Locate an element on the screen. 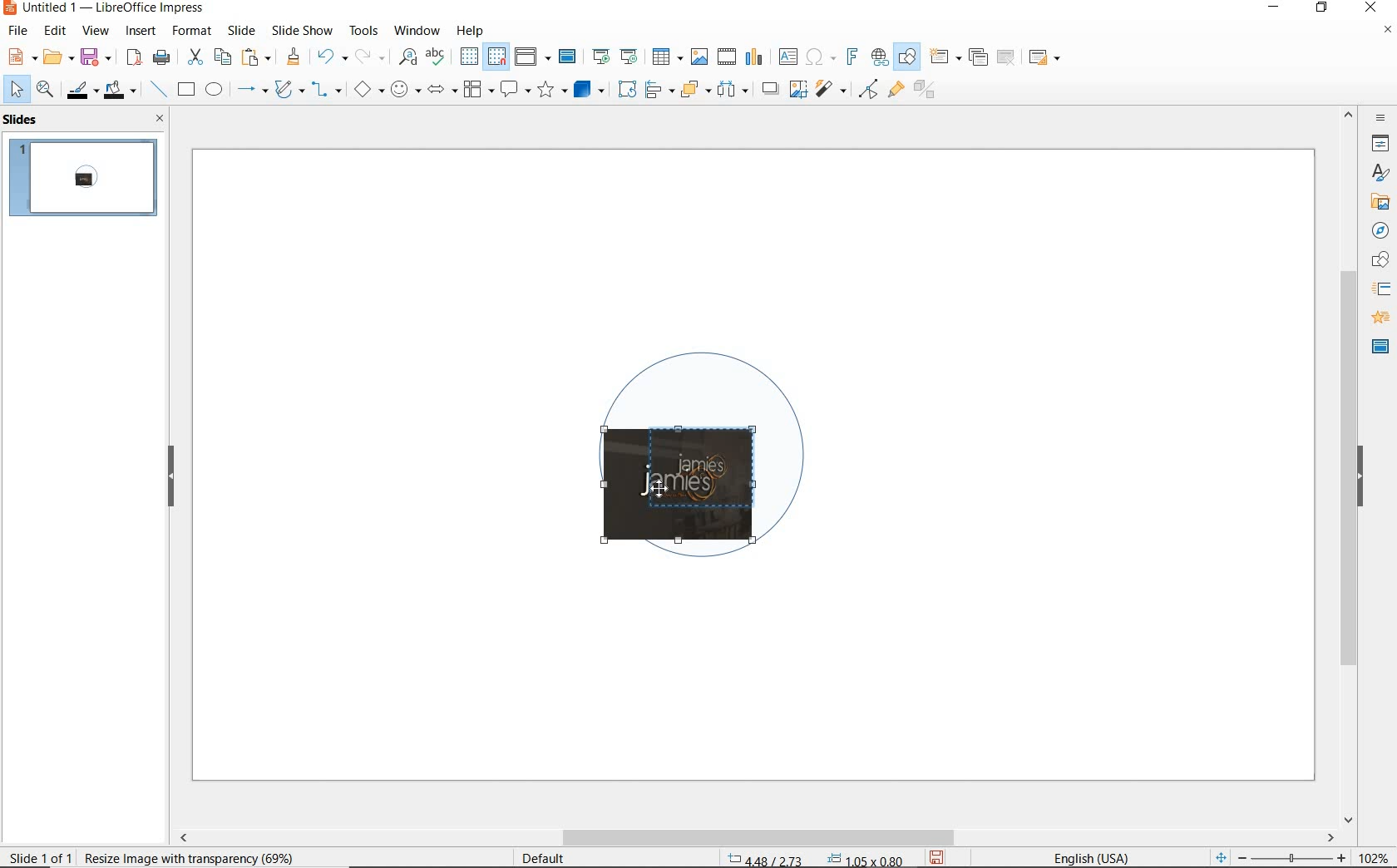  close document is located at coordinates (1387, 33).